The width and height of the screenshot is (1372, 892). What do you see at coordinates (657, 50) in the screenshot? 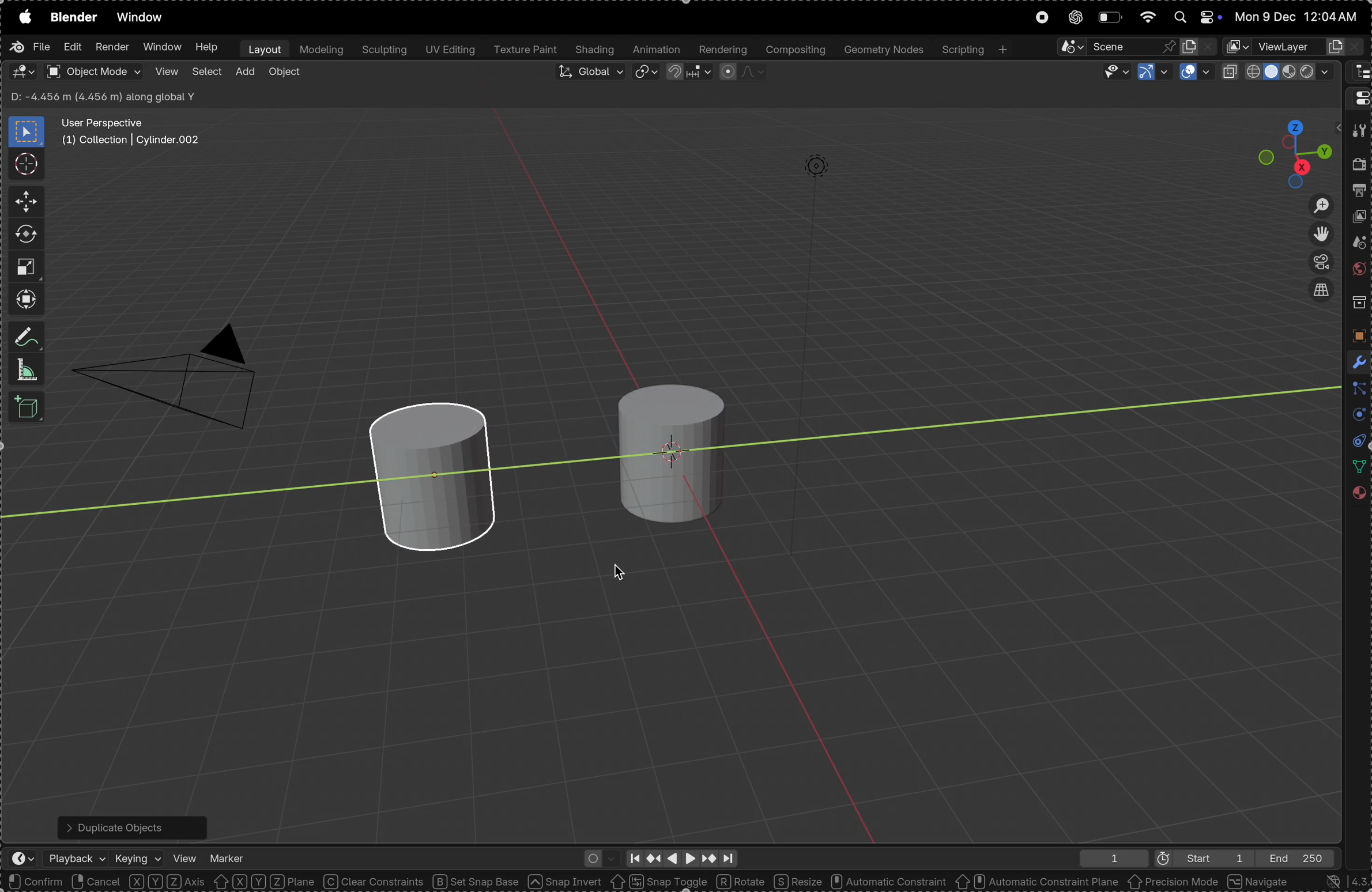
I see `Animation` at bounding box center [657, 50].